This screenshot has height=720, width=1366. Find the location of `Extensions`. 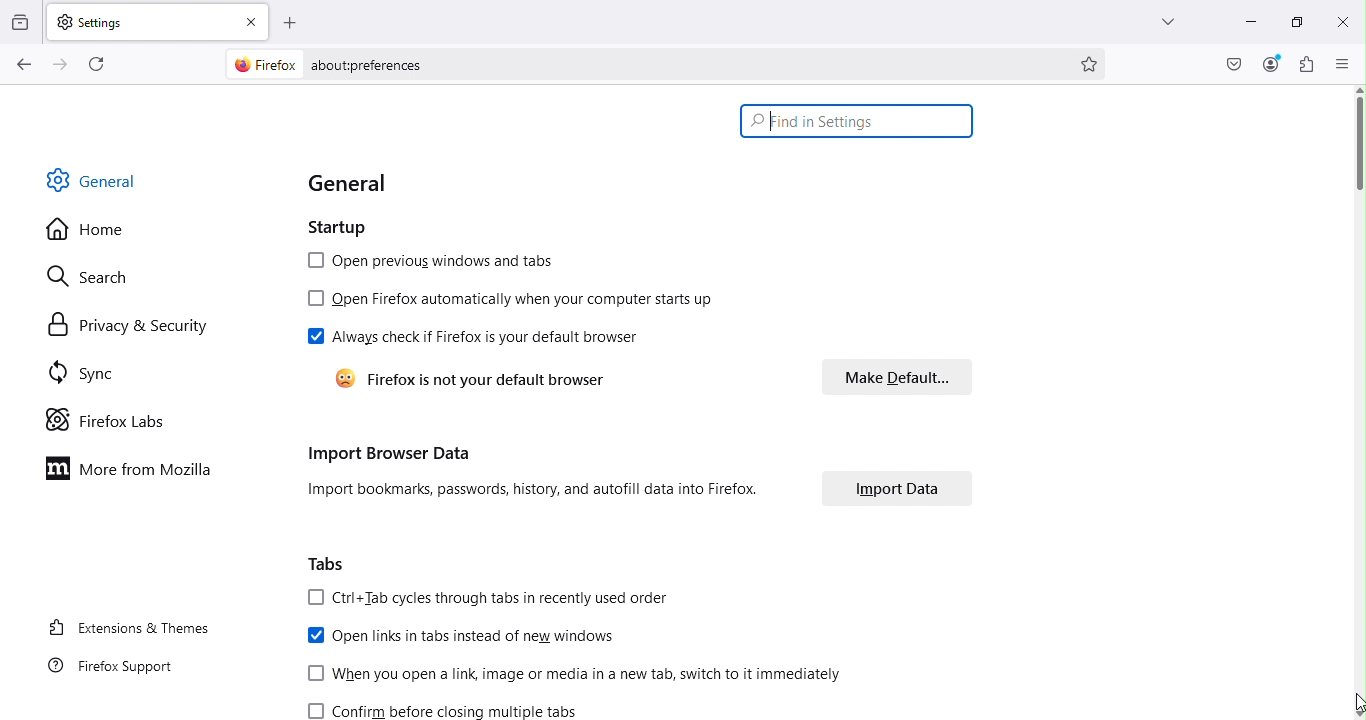

Extensions is located at coordinates (1304, 65).